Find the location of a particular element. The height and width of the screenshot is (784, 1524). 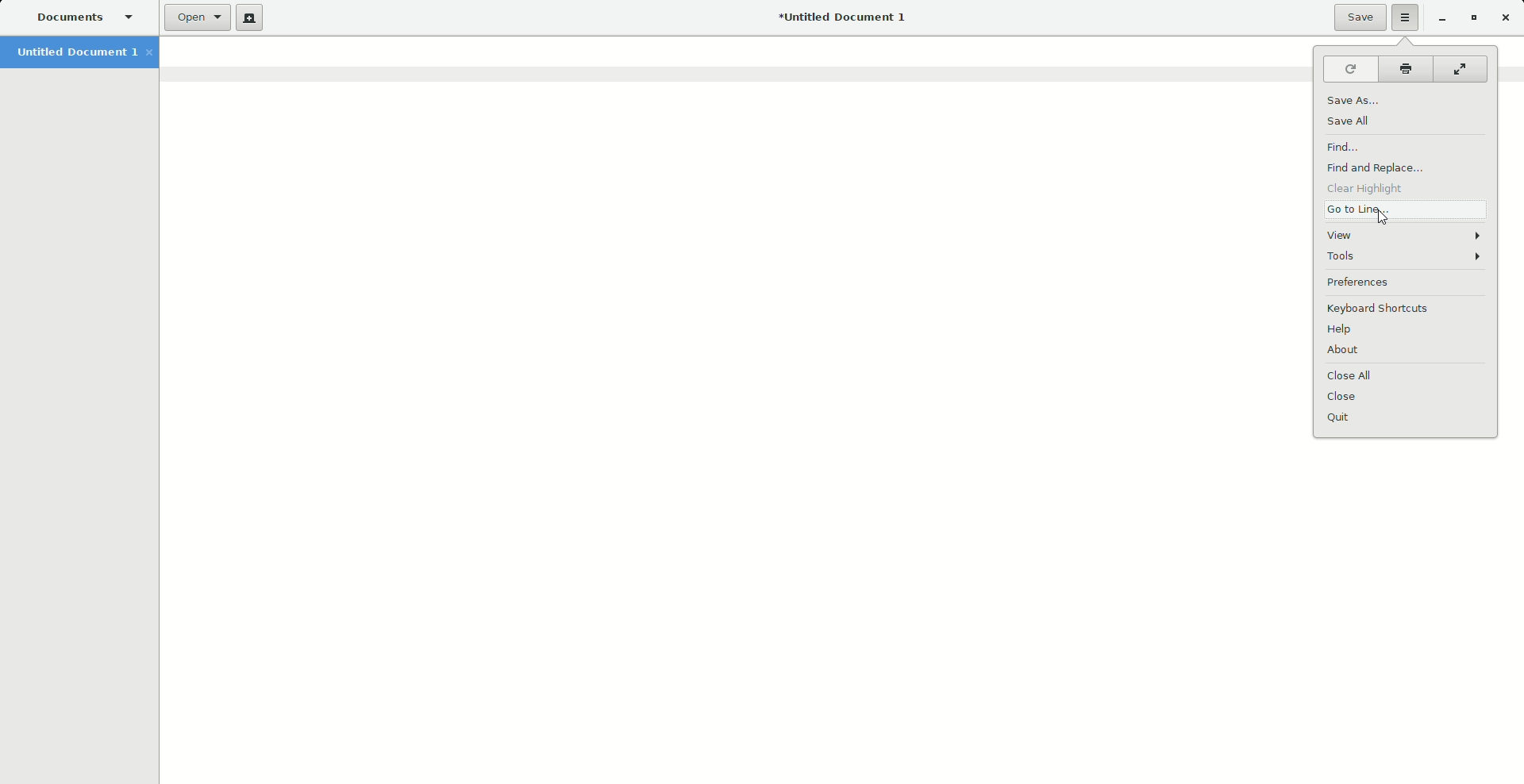

Clear Highlight is located at coordinates (1370, 189).